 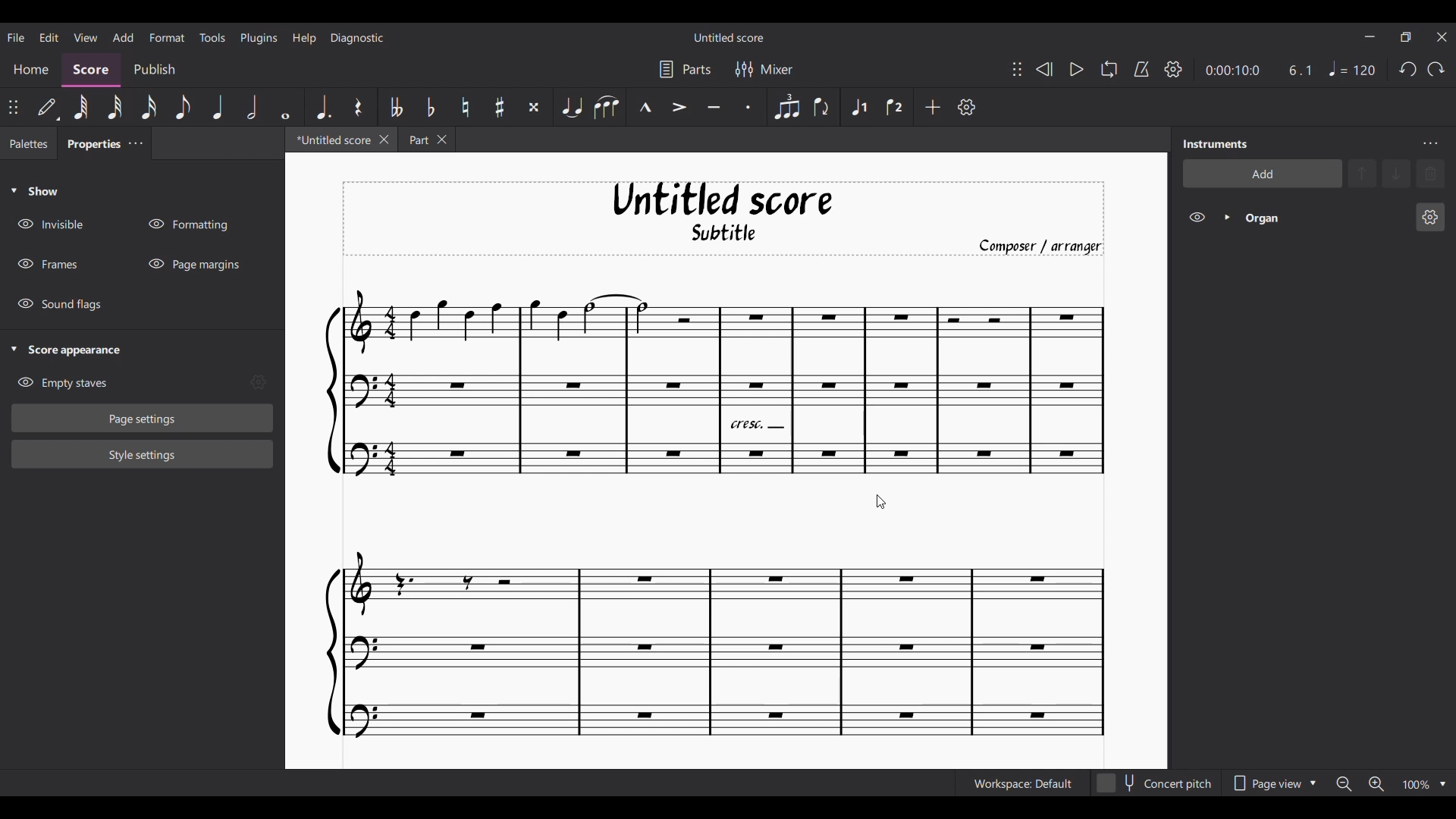 I want to click on Current score, so click(x=716, y=514).